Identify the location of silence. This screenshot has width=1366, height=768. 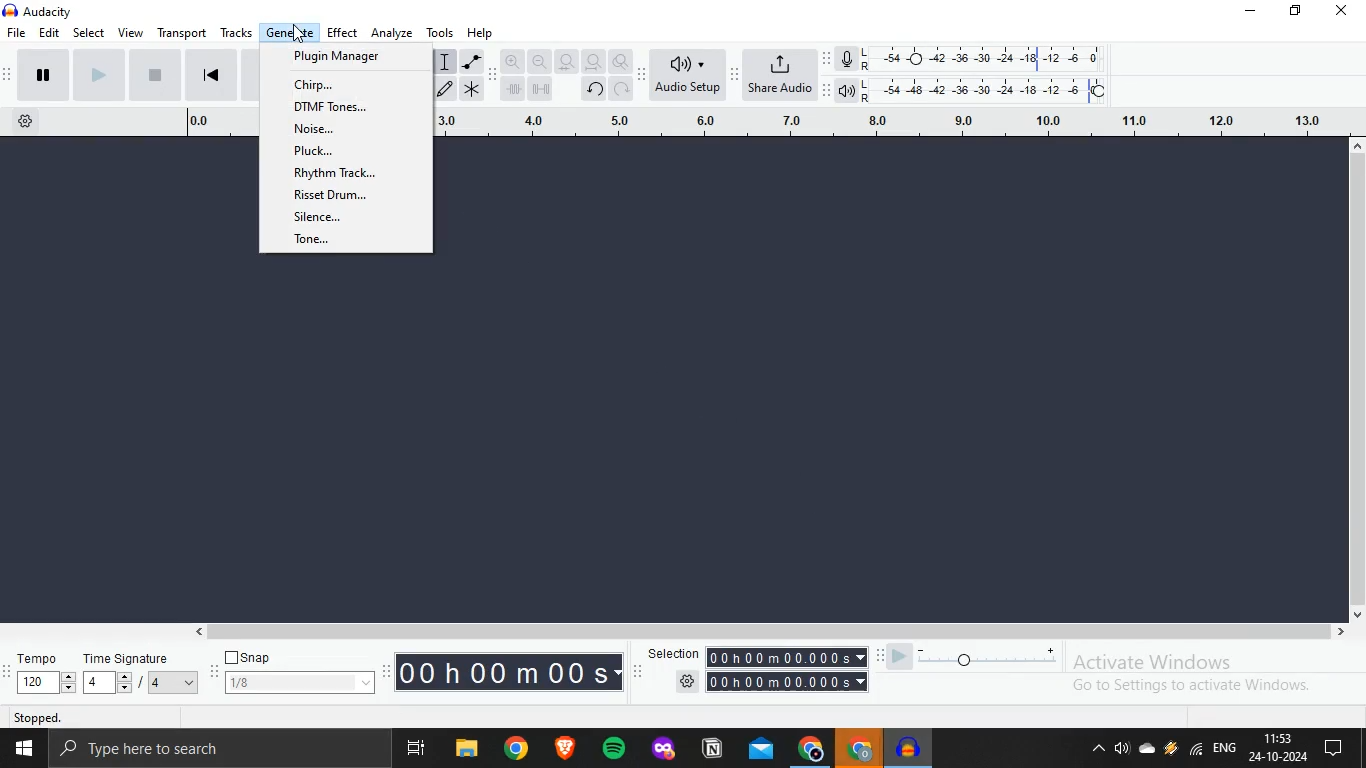
(336, 221).